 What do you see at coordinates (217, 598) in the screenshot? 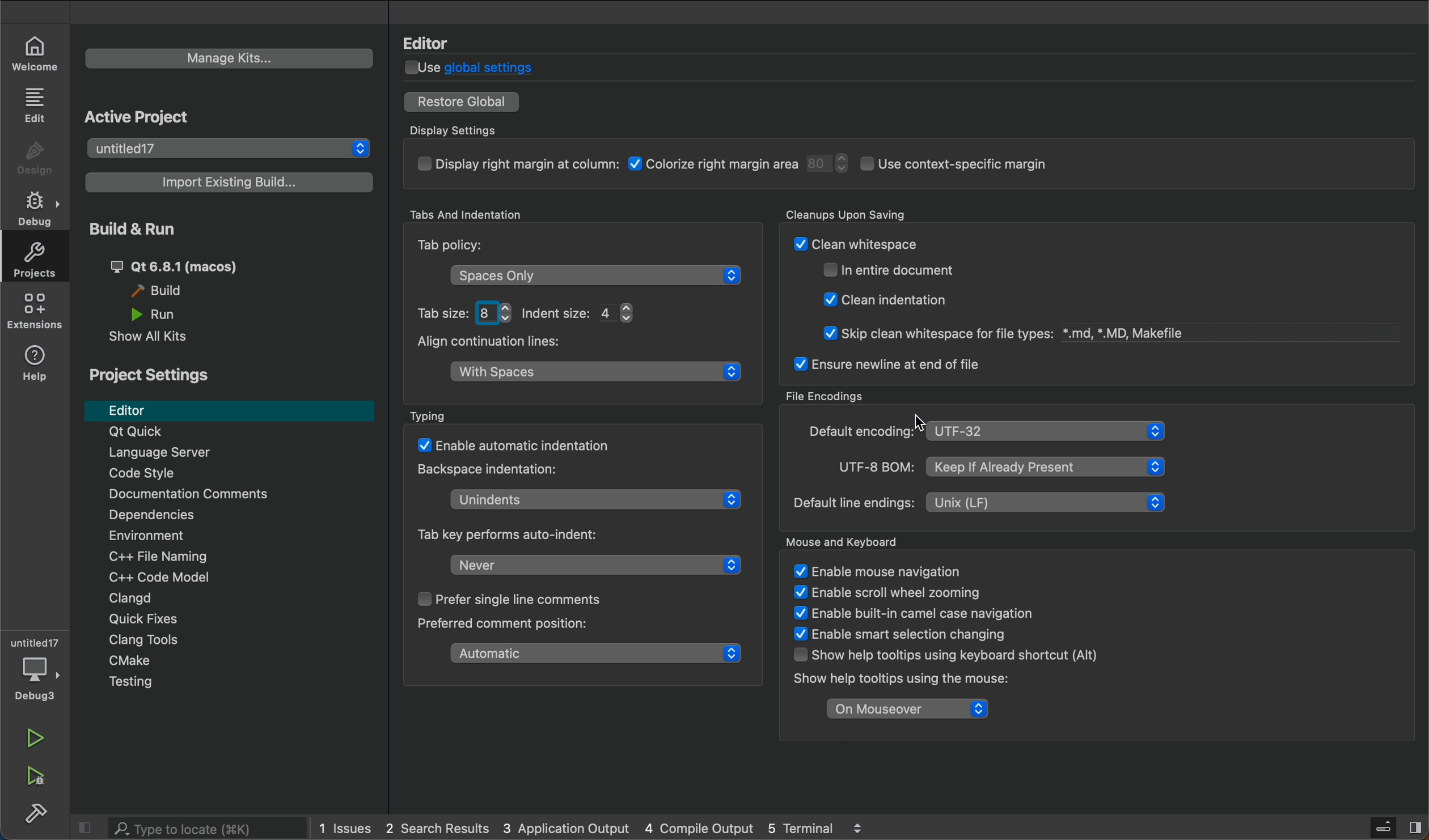
I see `Clangd` at bounding box center [217, 598].